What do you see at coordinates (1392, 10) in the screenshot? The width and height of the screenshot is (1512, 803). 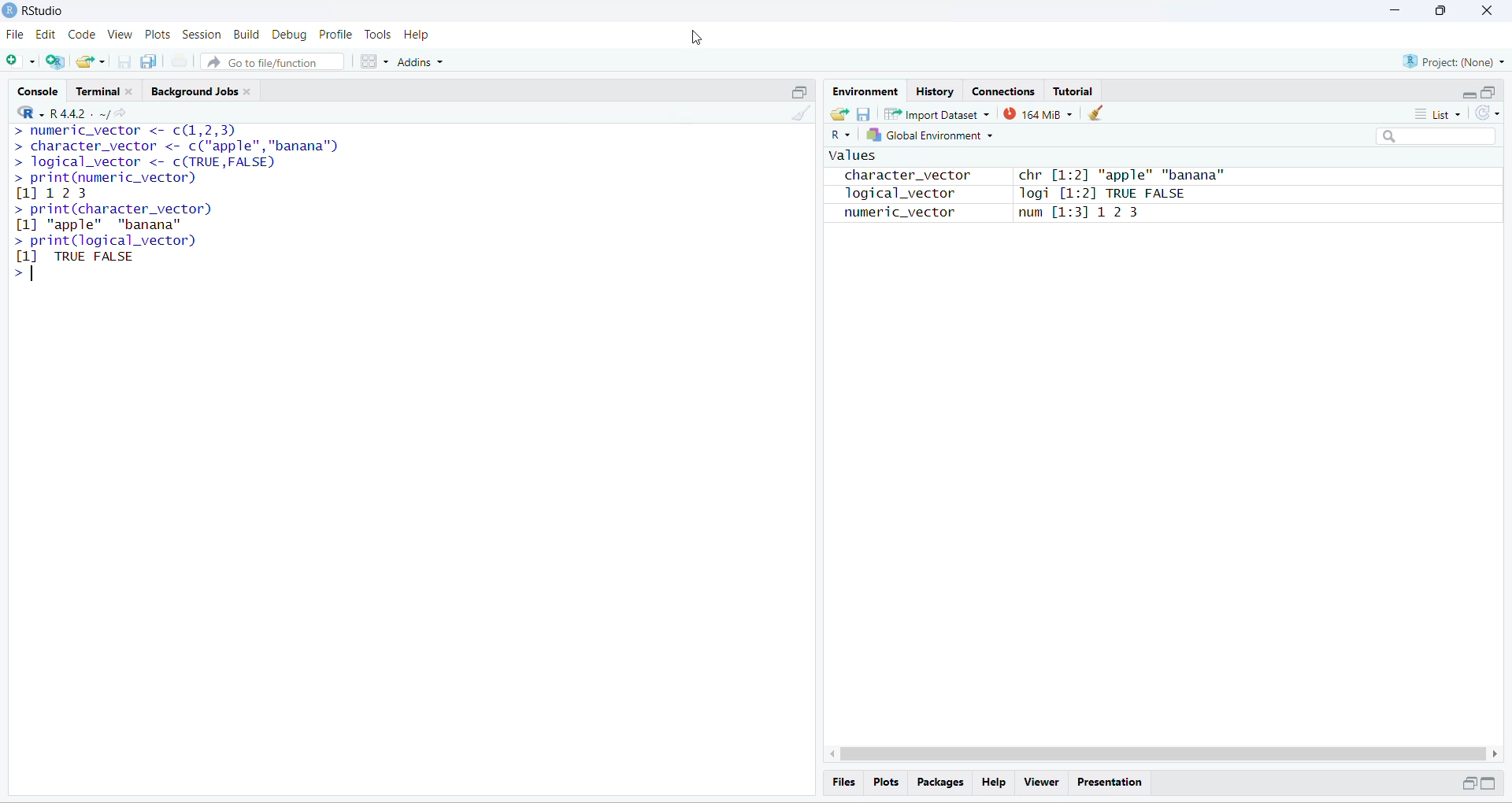 I see `minimize` at bounding box center [1392, 10].